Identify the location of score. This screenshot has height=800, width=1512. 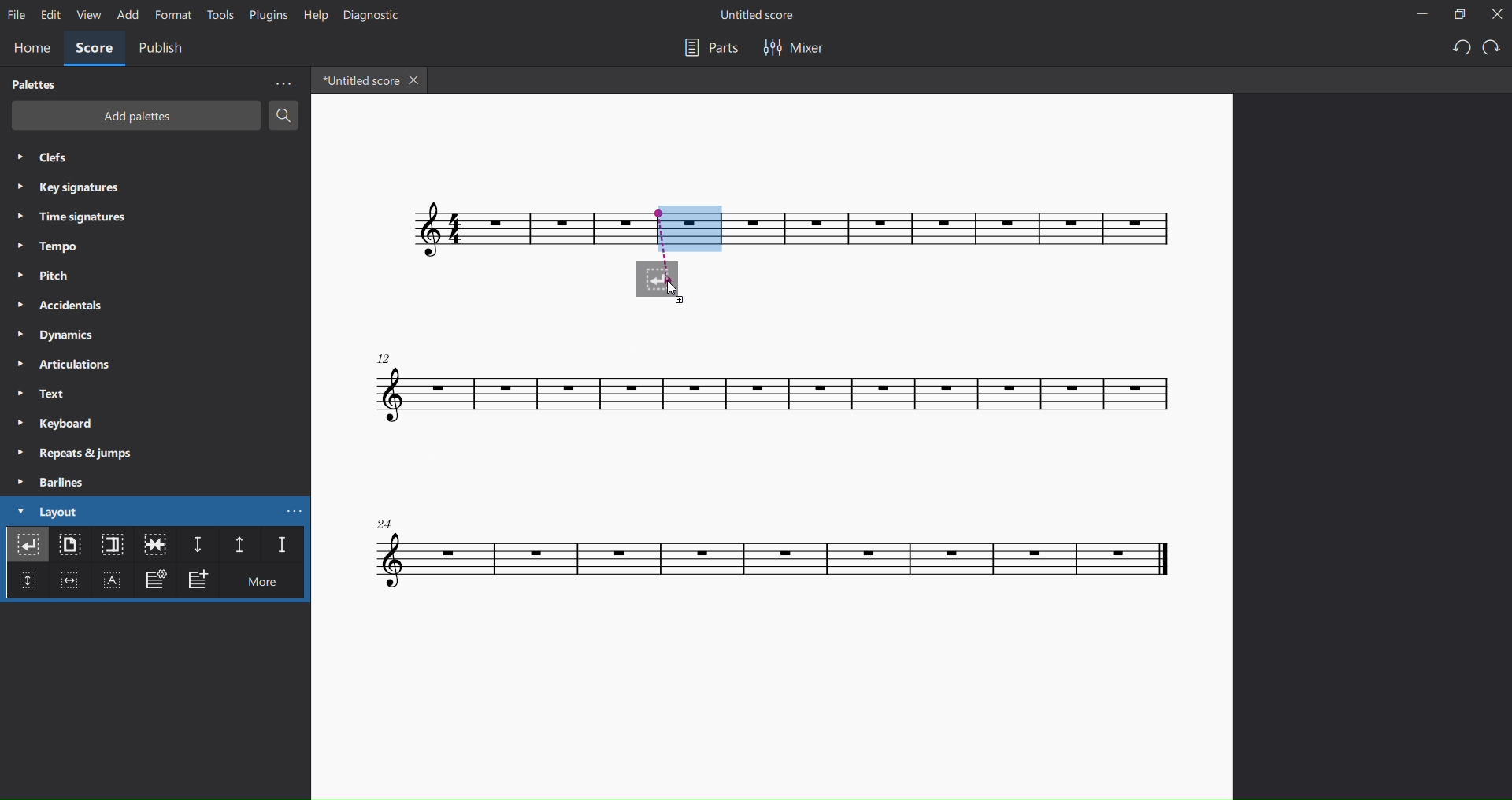
(777, 559).